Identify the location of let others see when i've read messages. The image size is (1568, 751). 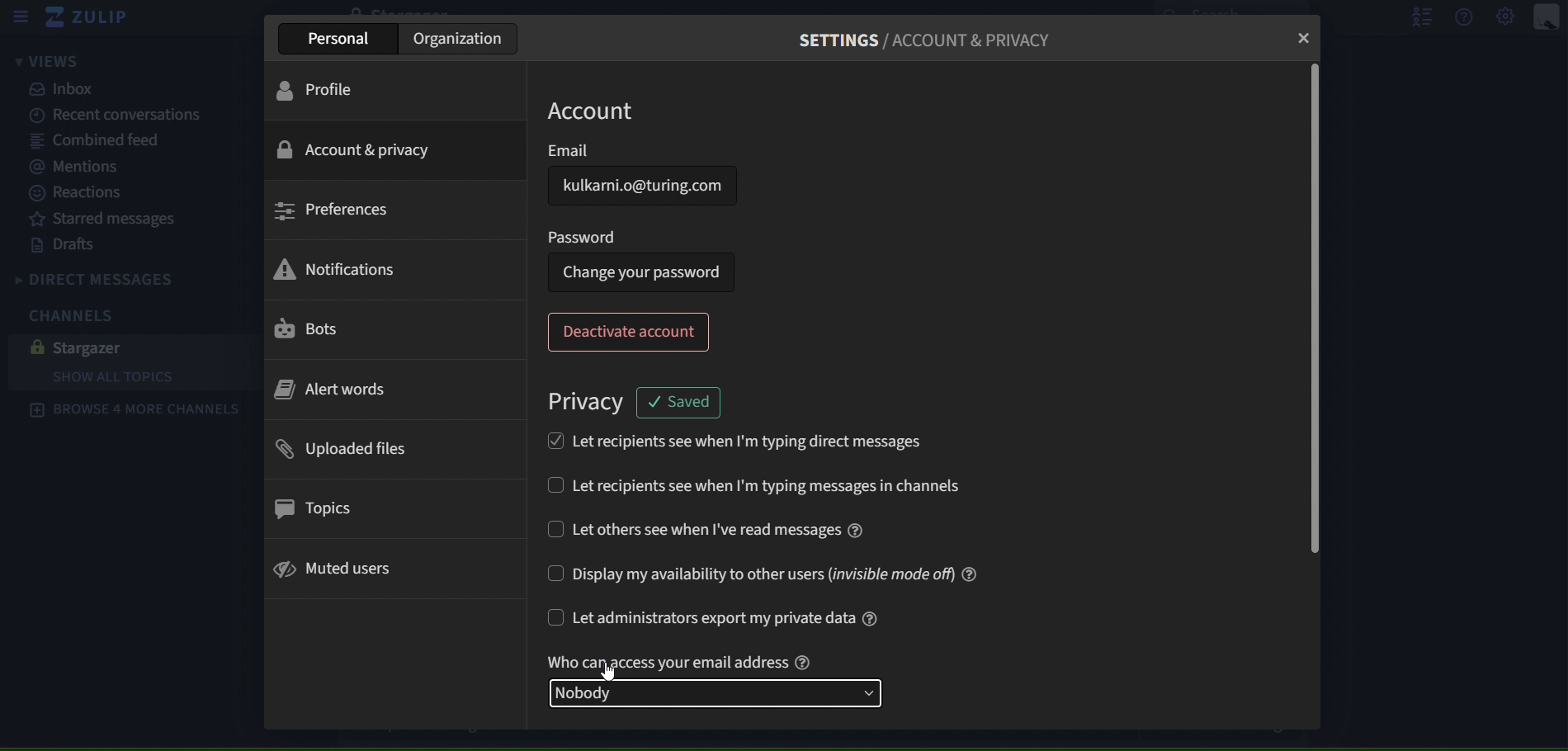
(706, 528).